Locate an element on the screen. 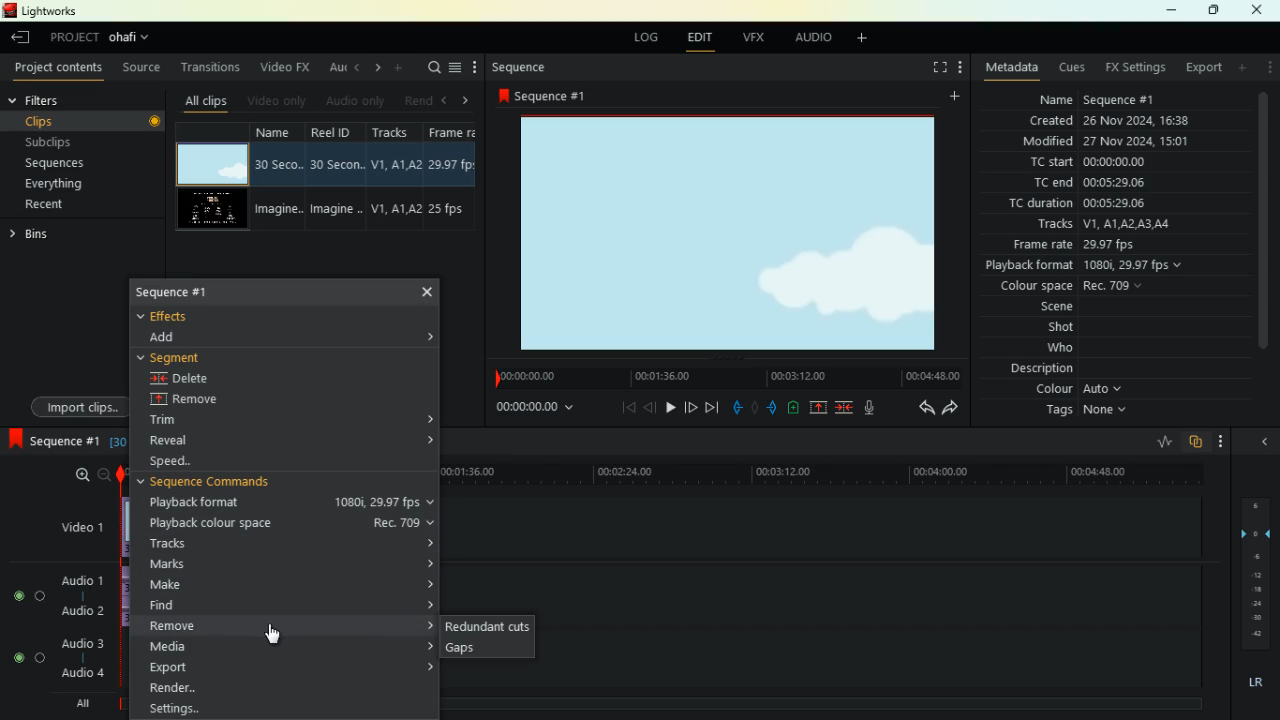  fullscreen is located at coordinates (933, 68).